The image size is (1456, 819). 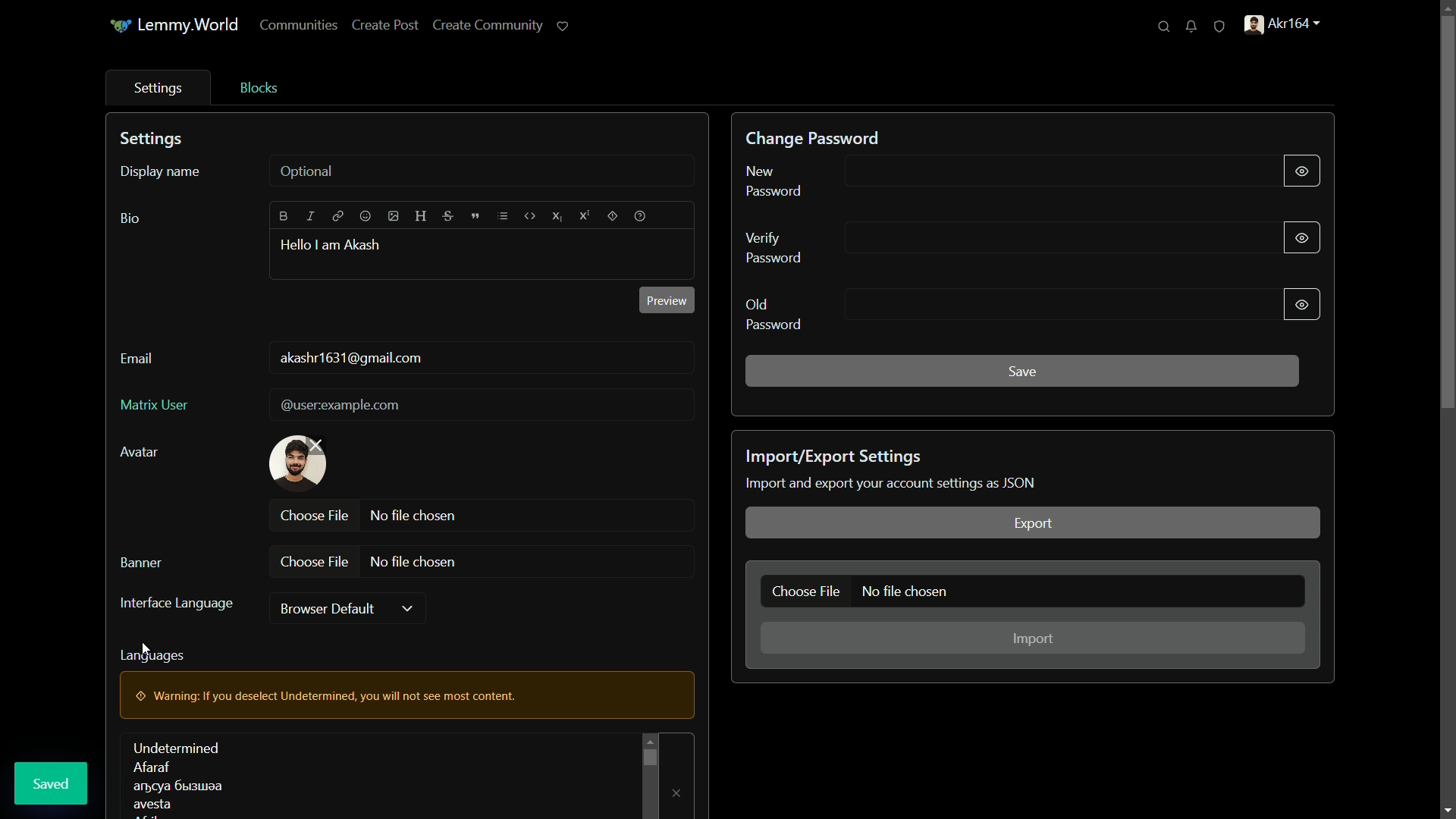 What do you see at coordinates (1301, 239) in the screenshot?
I see `show/hide` at bounding box center [1301, 239].